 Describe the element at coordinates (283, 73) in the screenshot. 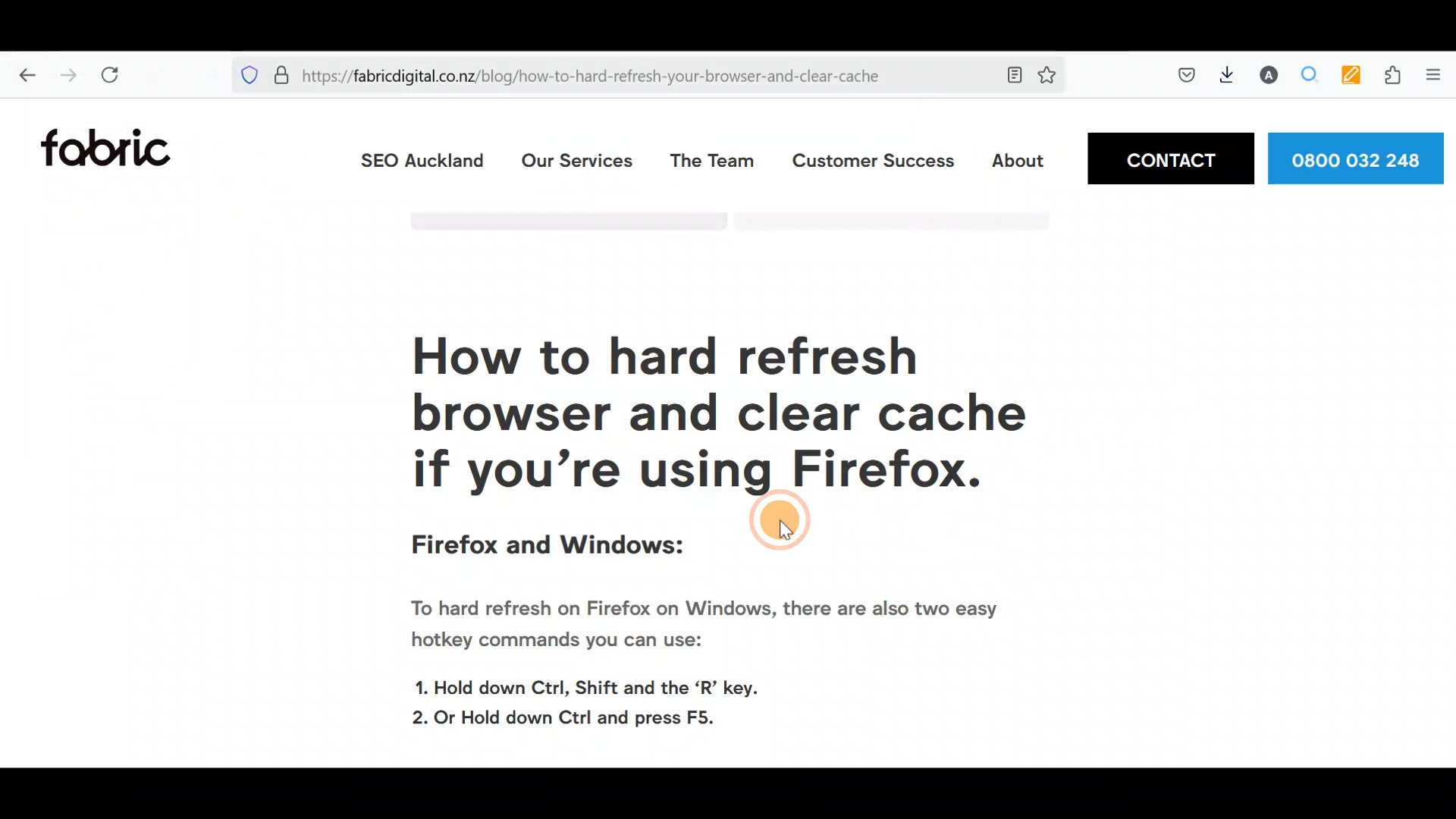

I see `Verified` at that location.